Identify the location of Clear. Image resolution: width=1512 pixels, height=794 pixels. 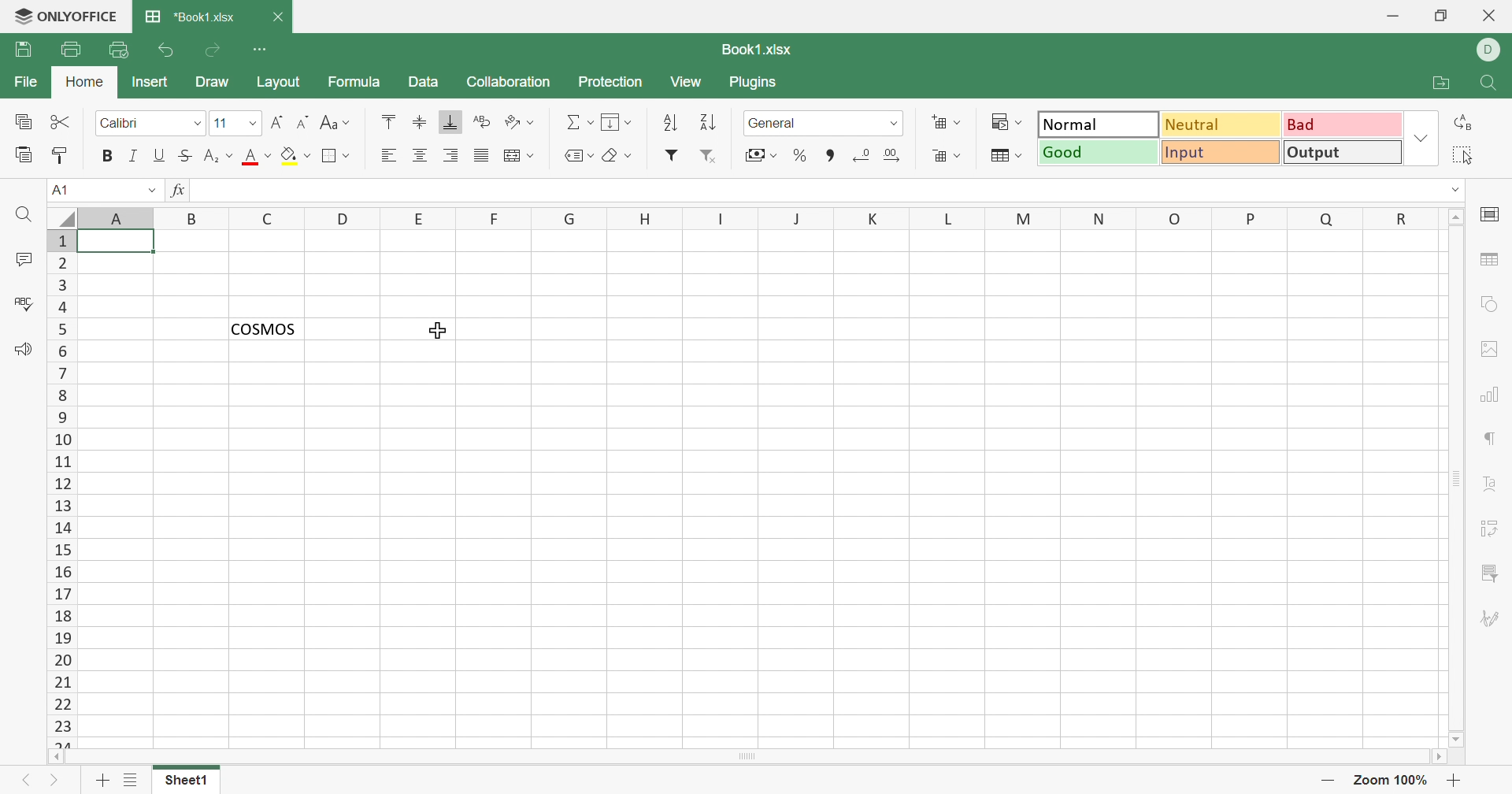
(619, 157).